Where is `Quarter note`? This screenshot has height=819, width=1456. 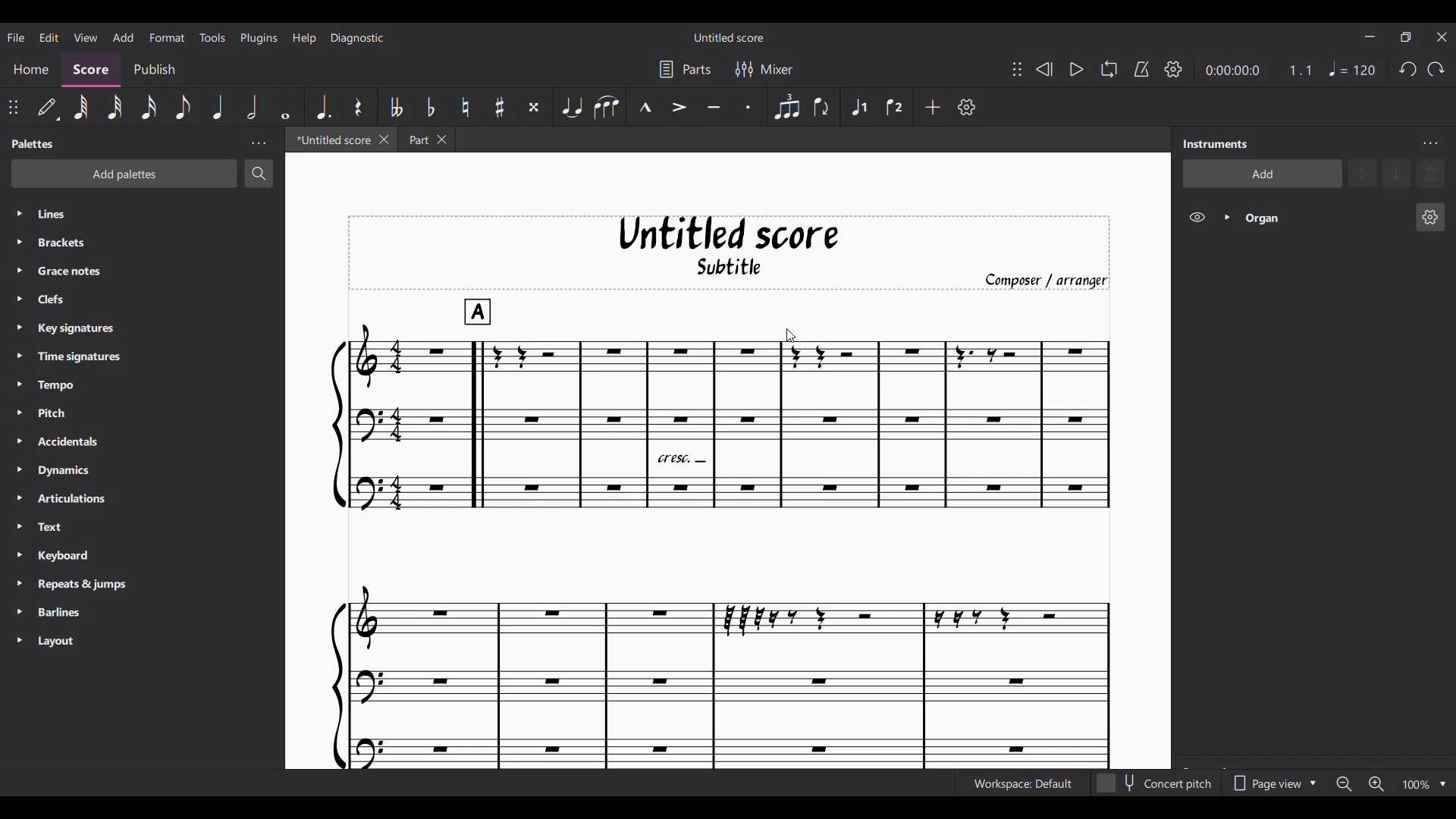
Quarter note is located at coordinates (1351, 68).